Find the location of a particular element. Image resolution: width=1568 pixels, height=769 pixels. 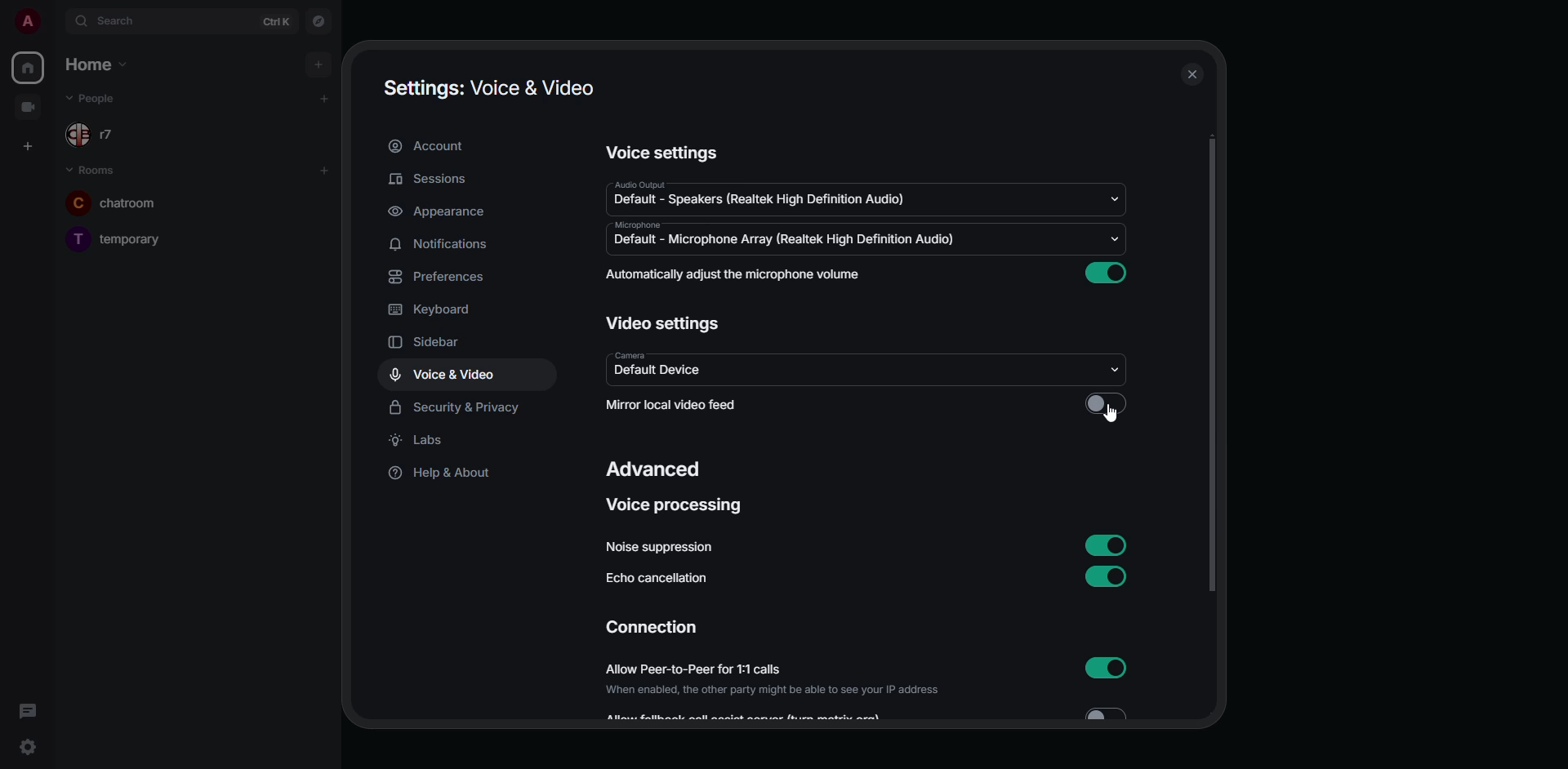

enabled is located at coordinates (1105, 668).